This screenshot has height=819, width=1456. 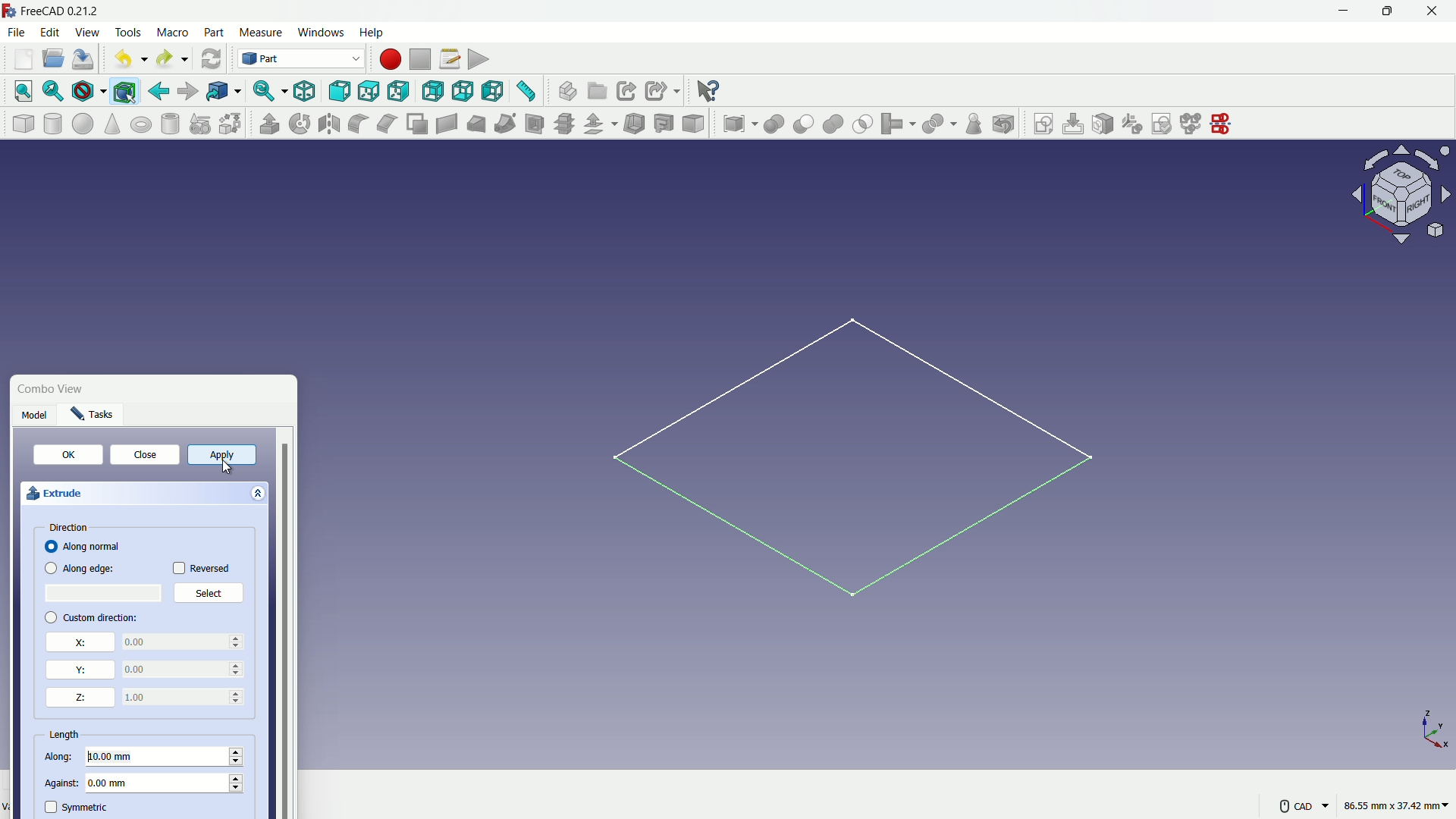 I want to click on custom direction, so click(x=101, y=619).